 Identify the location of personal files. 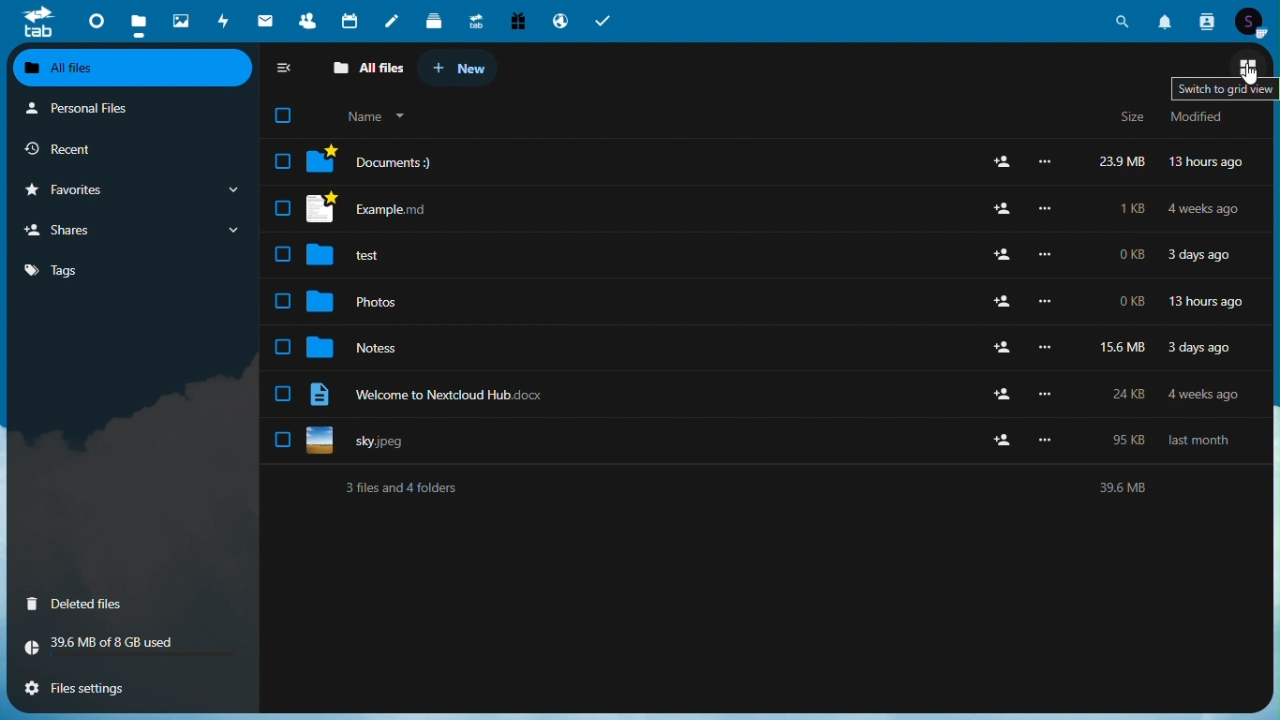
(117, 109).